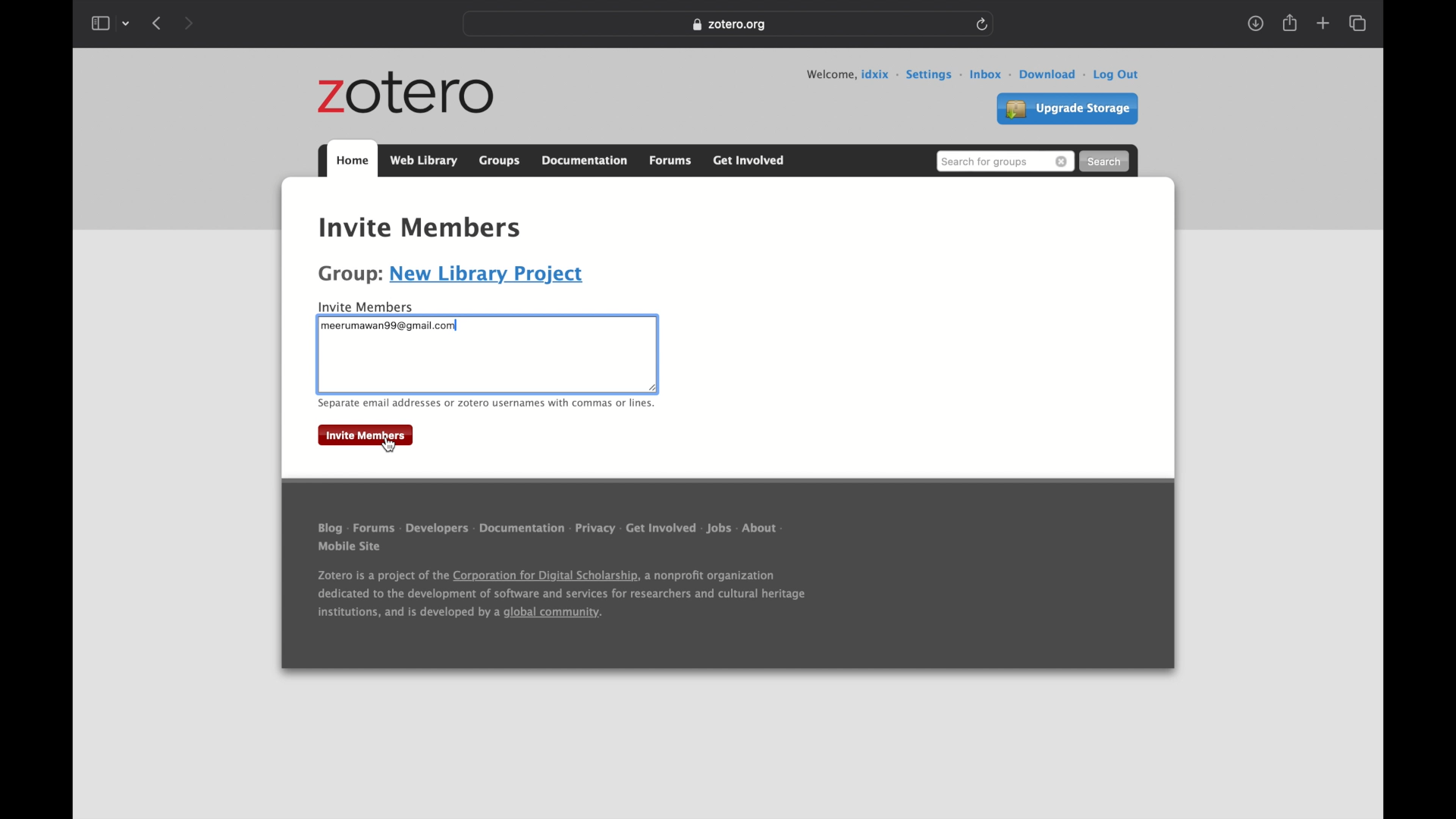 The image size is (1456, 819). I want to click on blog, so click(325, 527).